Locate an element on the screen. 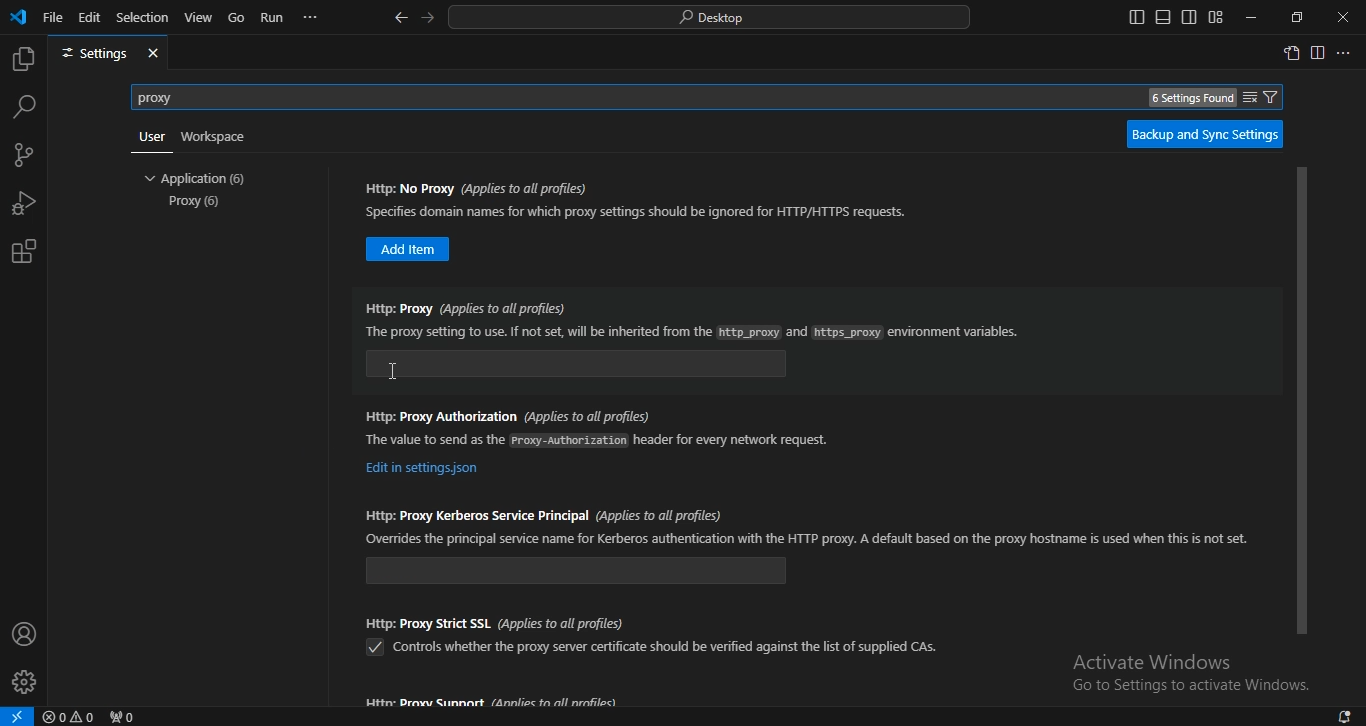 This screenshot has width=1366, height=726. settings is located at coordinates (23, 682).